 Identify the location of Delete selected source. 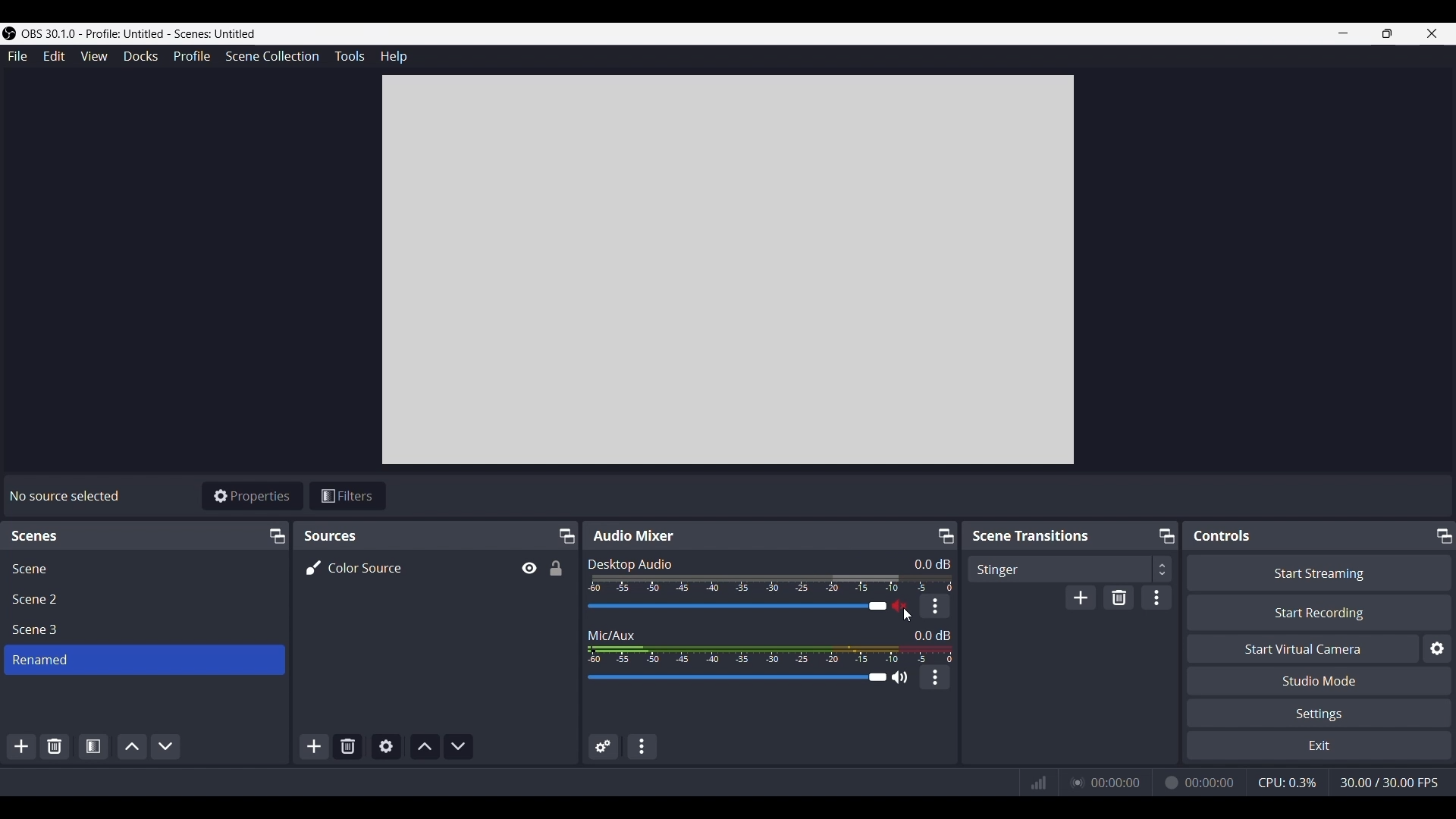
(347, 747).